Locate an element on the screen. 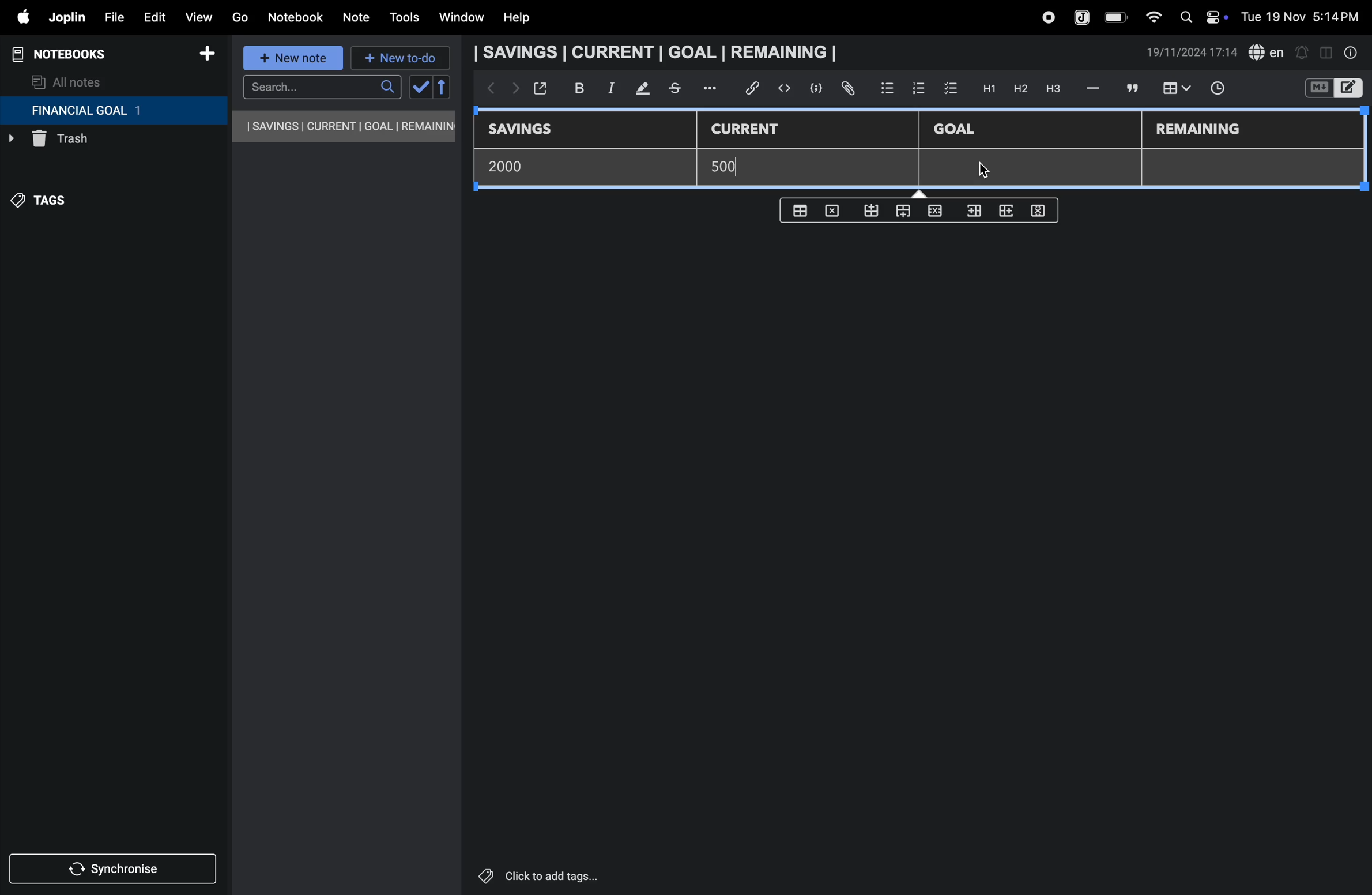  cursor is located at coordinates (996, 171).